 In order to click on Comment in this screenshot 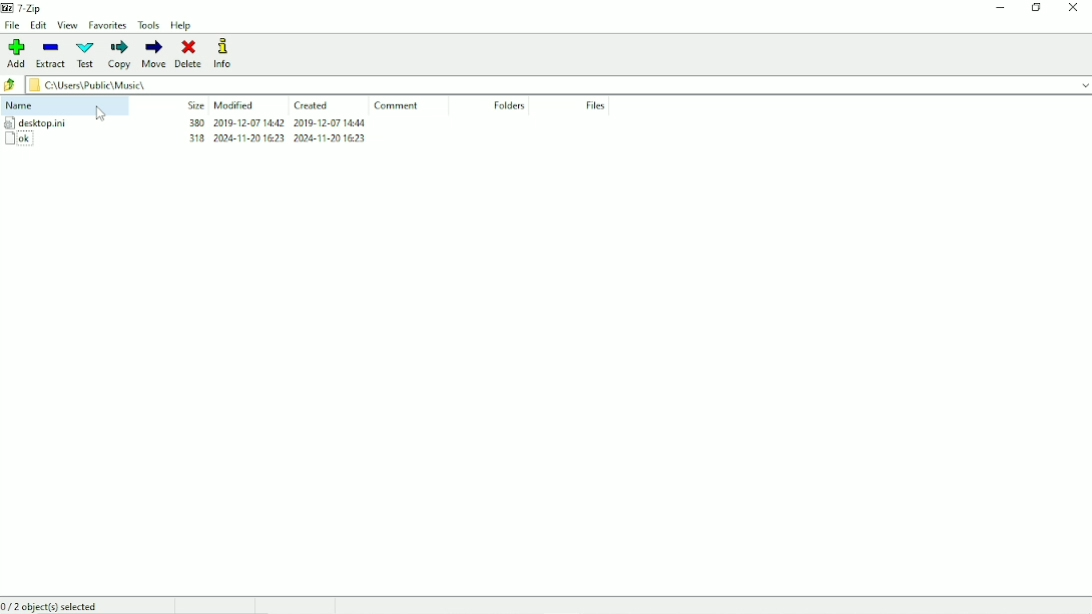, I will do `click(401, 106)`.